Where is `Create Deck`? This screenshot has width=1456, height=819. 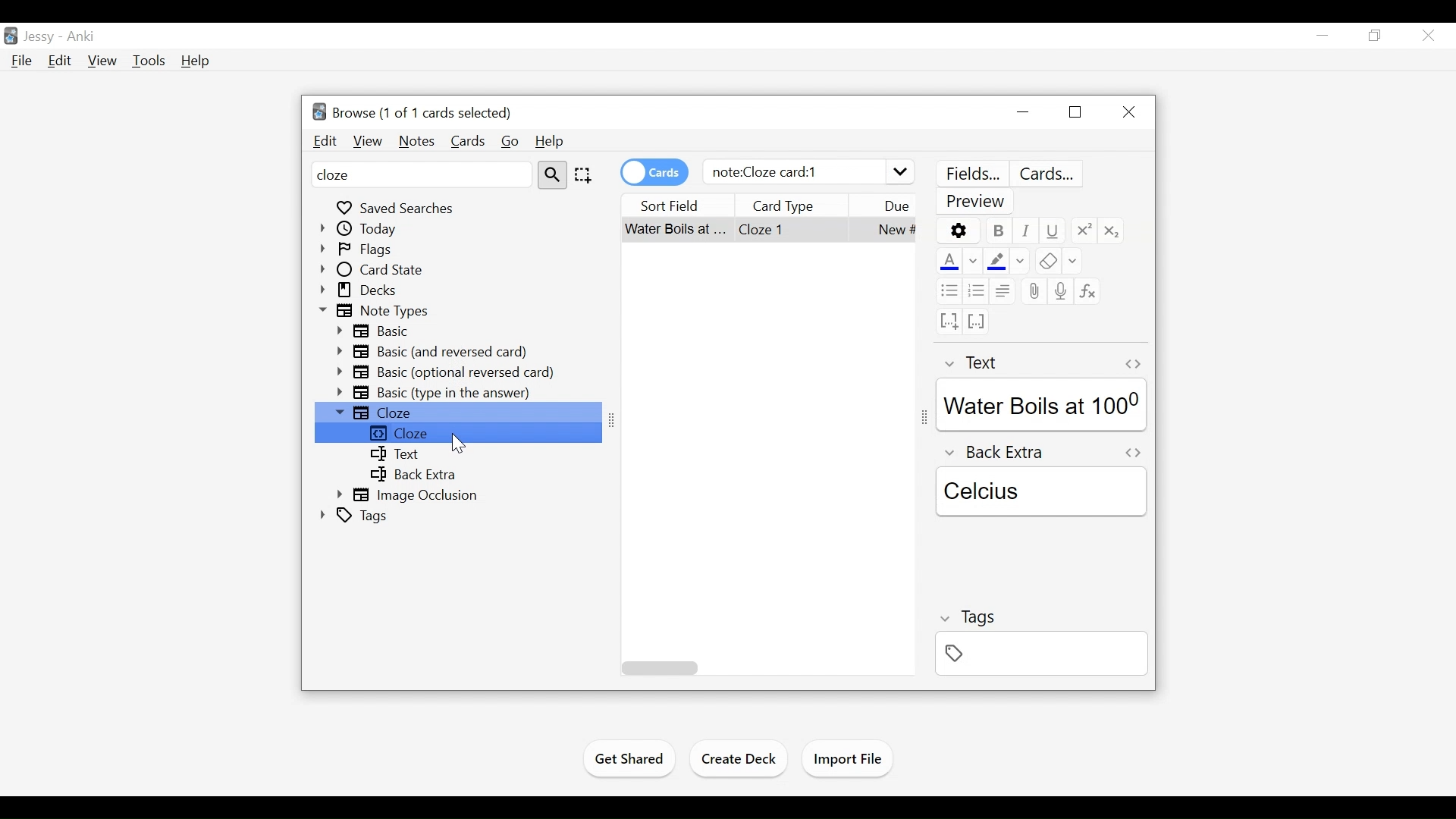
Create Deck is located at coordinates (741, 758).